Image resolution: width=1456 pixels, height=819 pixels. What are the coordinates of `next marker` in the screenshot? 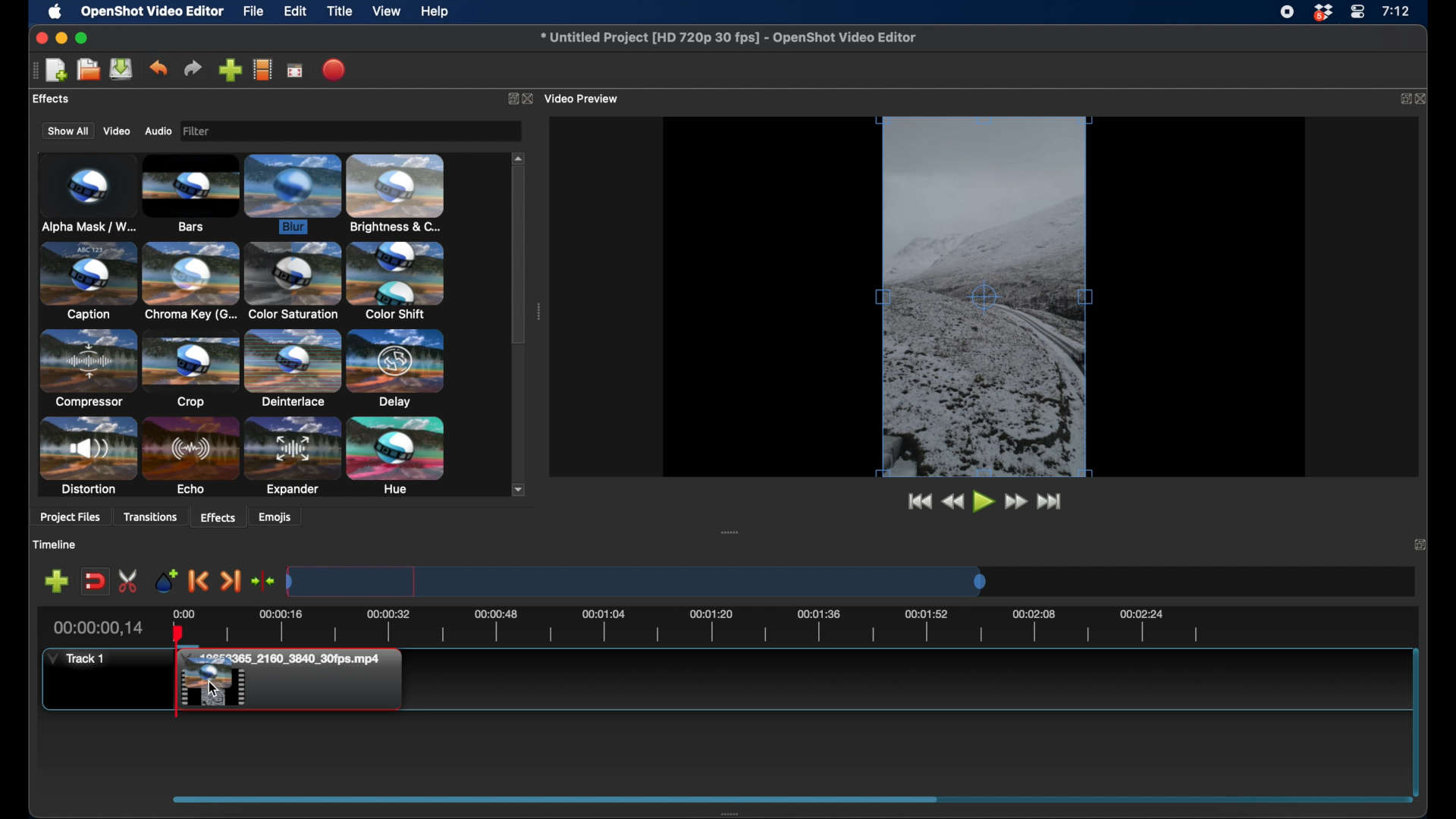 It's located at (232, 582).